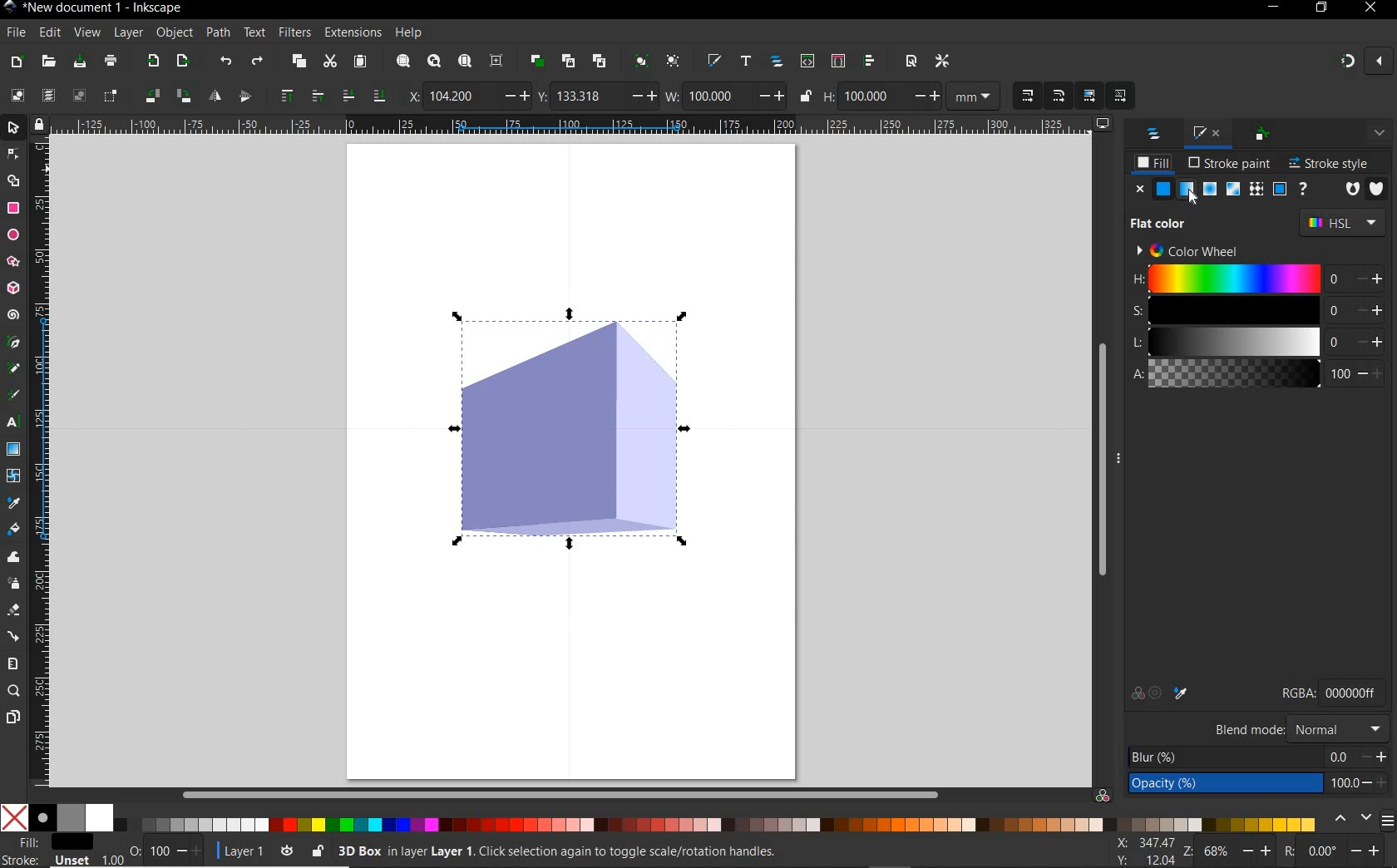  Describe the element at coordinates (639, 61) in the screenshot. I see `GROUP` at that location.